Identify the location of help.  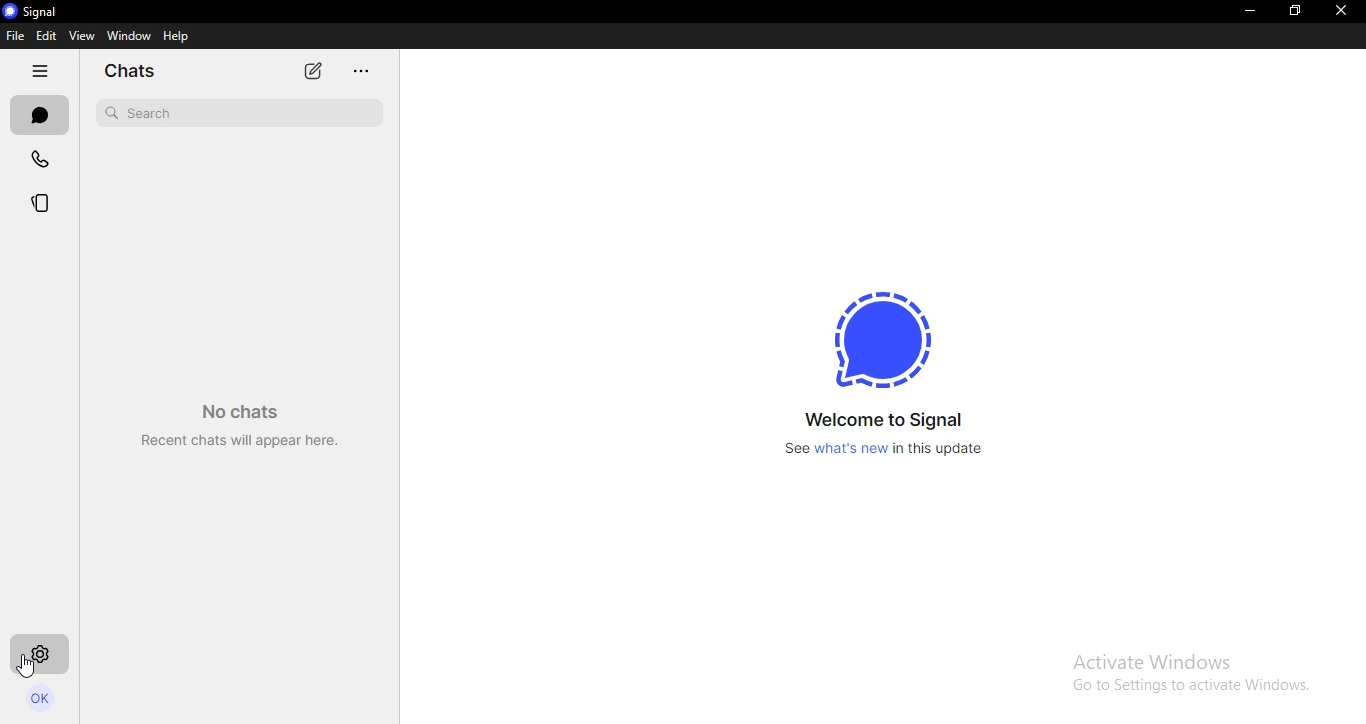
(177, 37).